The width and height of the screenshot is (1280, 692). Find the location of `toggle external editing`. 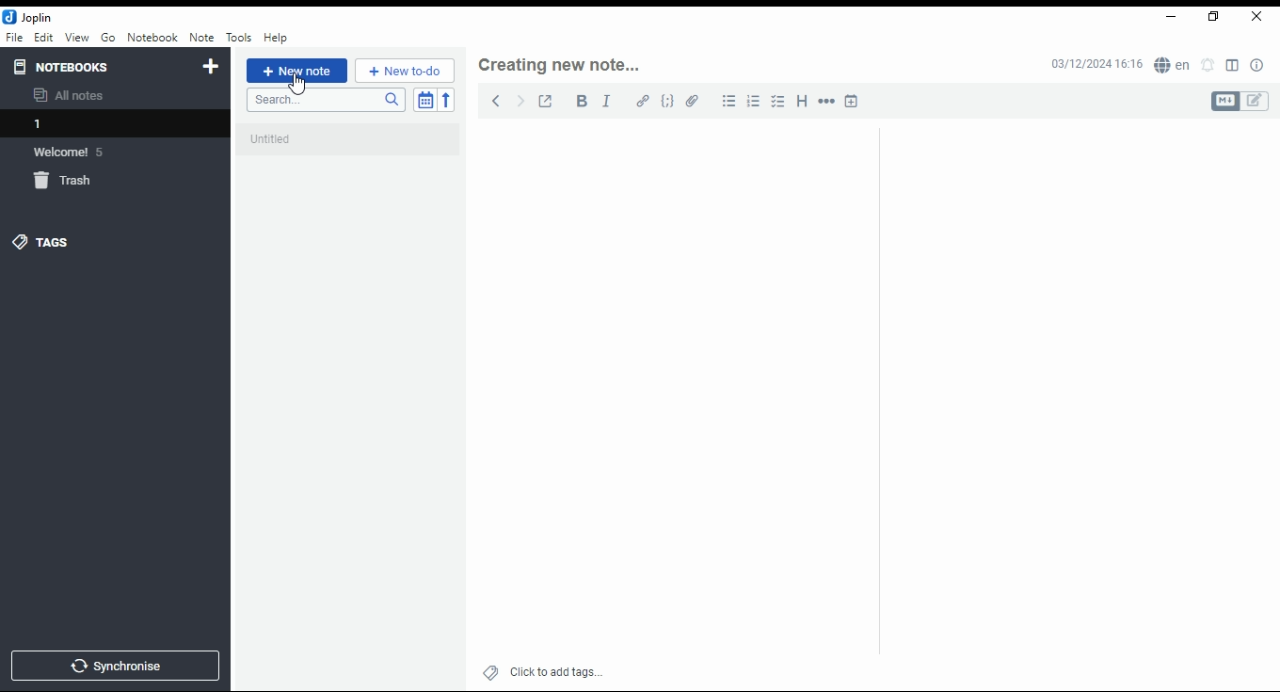

toggle external editing is located at coordinates (546, 100).